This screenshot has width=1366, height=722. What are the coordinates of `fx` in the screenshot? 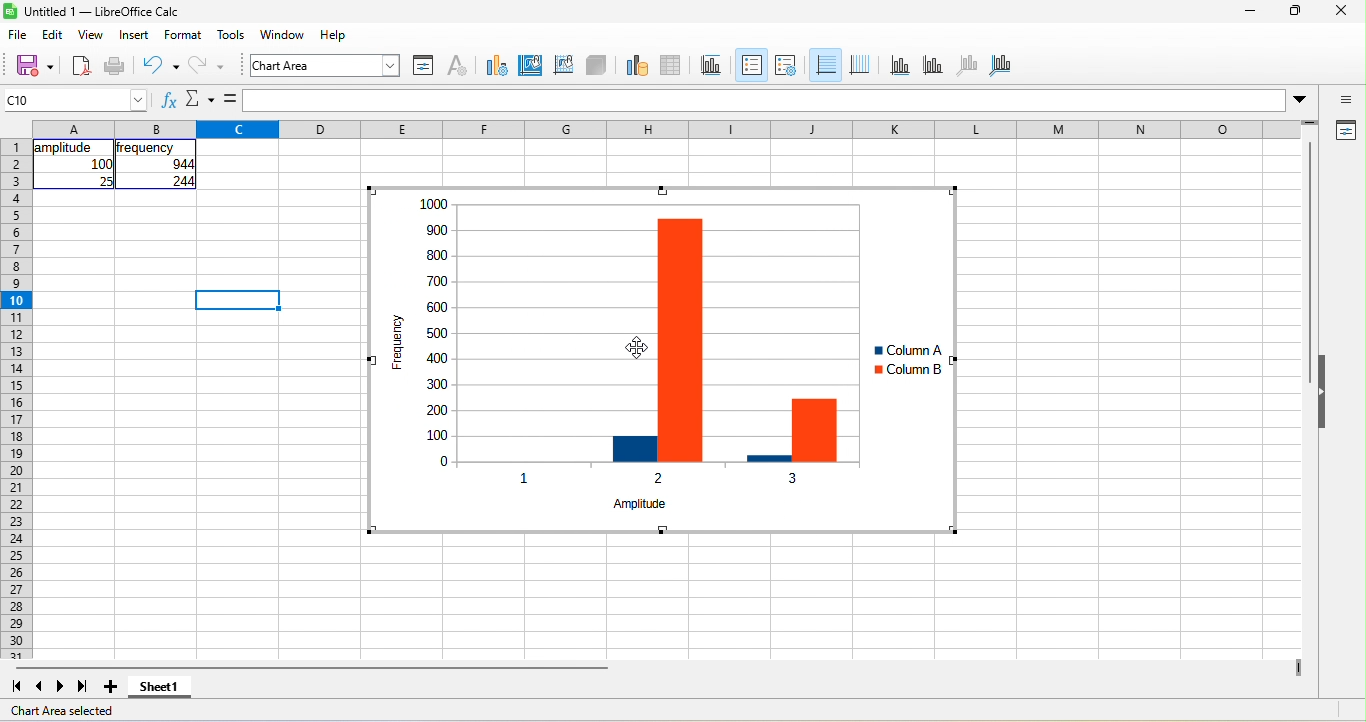 It's located at (170, 99).